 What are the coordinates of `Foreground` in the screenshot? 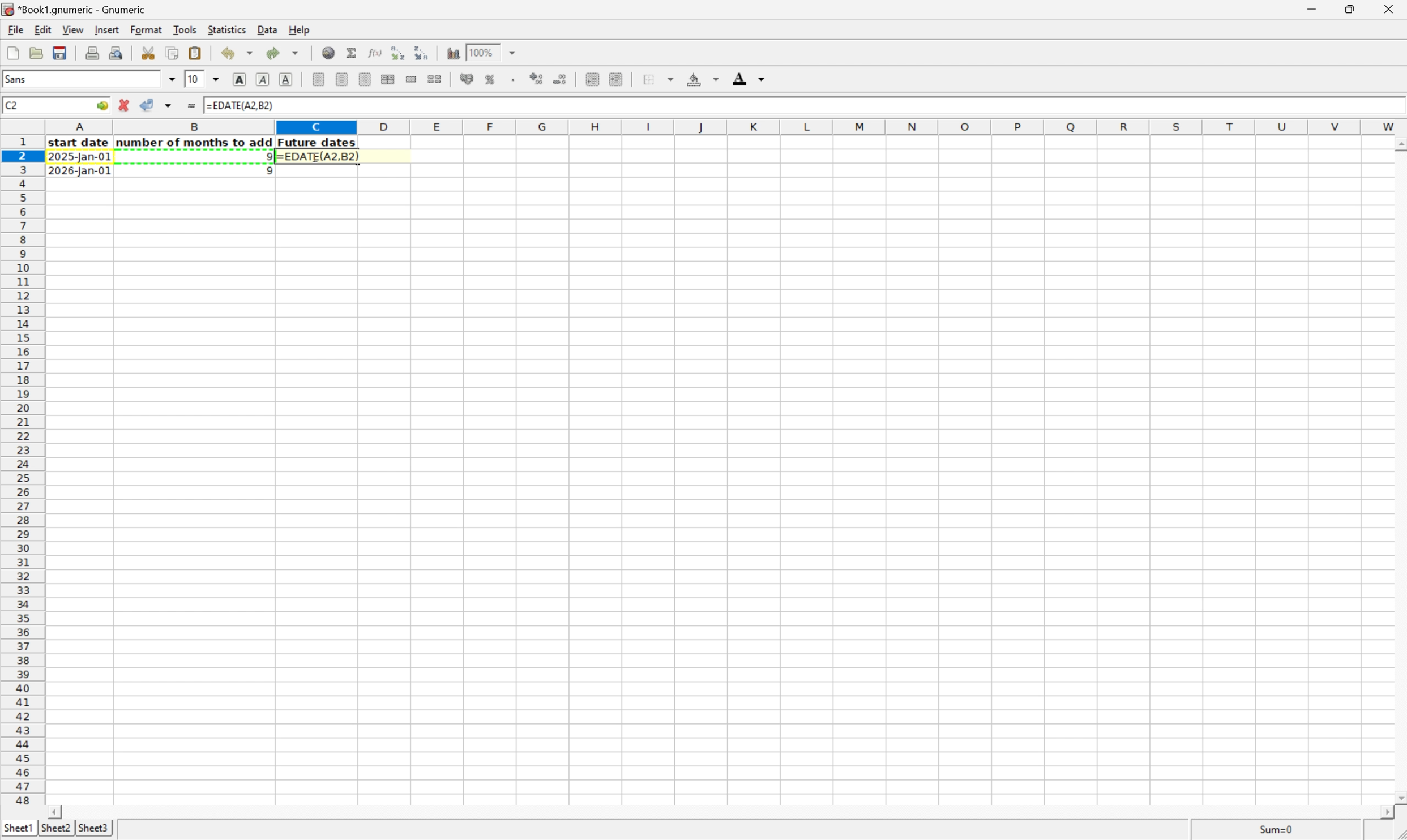 It's located at (750, 78).